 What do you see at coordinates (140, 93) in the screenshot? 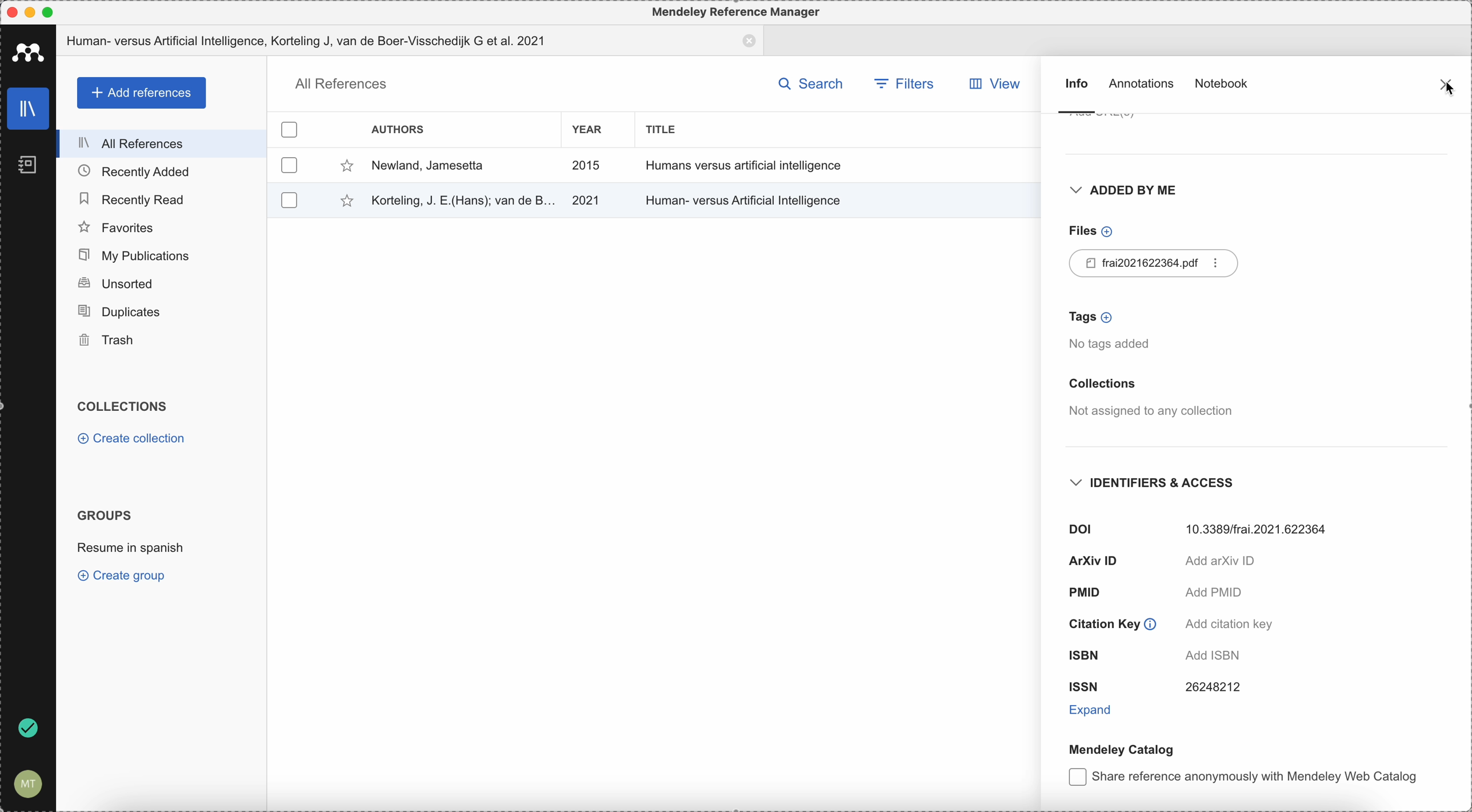
I see `add references` at bounding box center [140, 93].